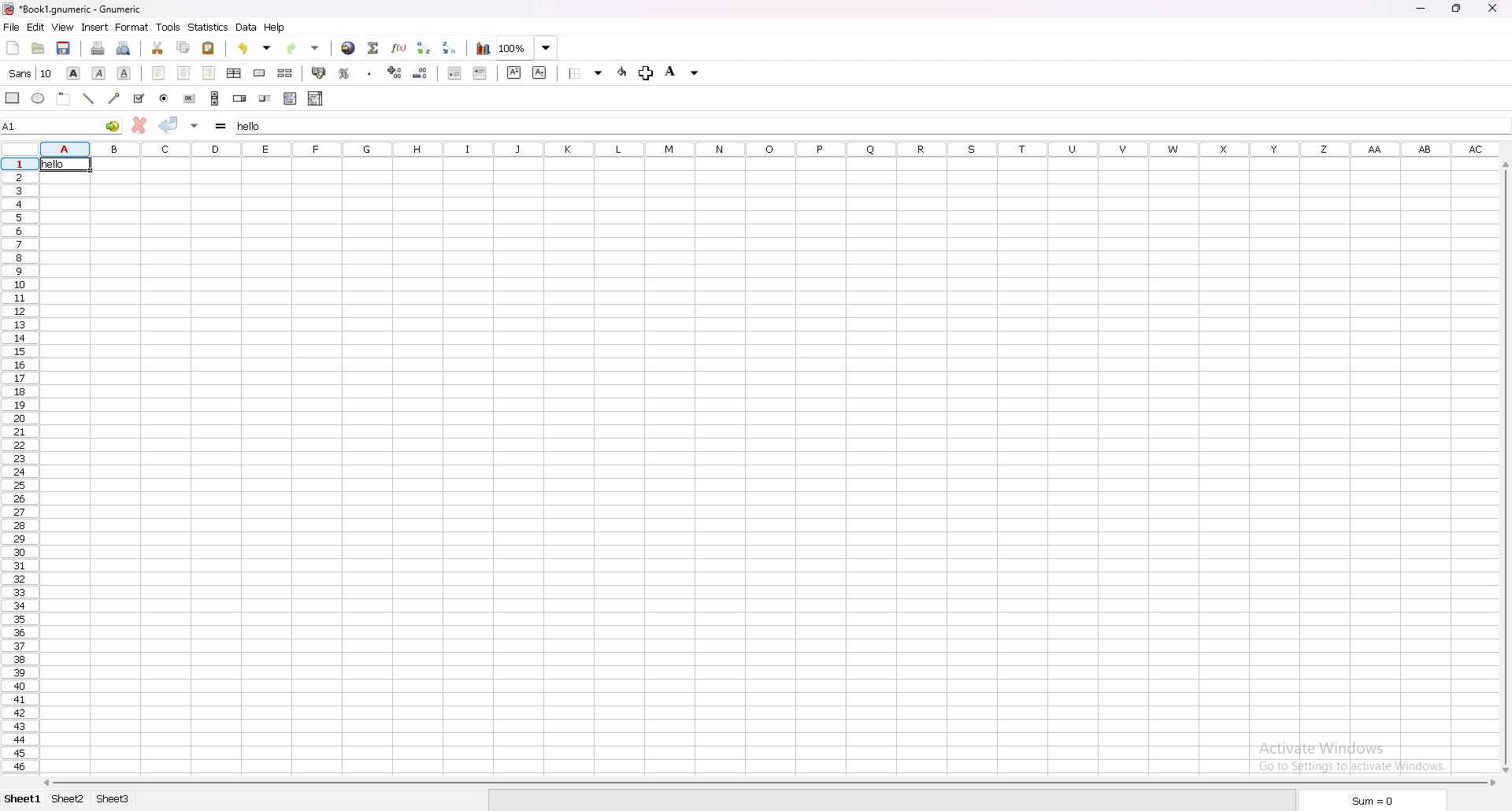 The height and width of the screenshot is (811, 1512). Describe the element at coordinates (169, 124) in the screenshot. I see `accept changes` at that location.